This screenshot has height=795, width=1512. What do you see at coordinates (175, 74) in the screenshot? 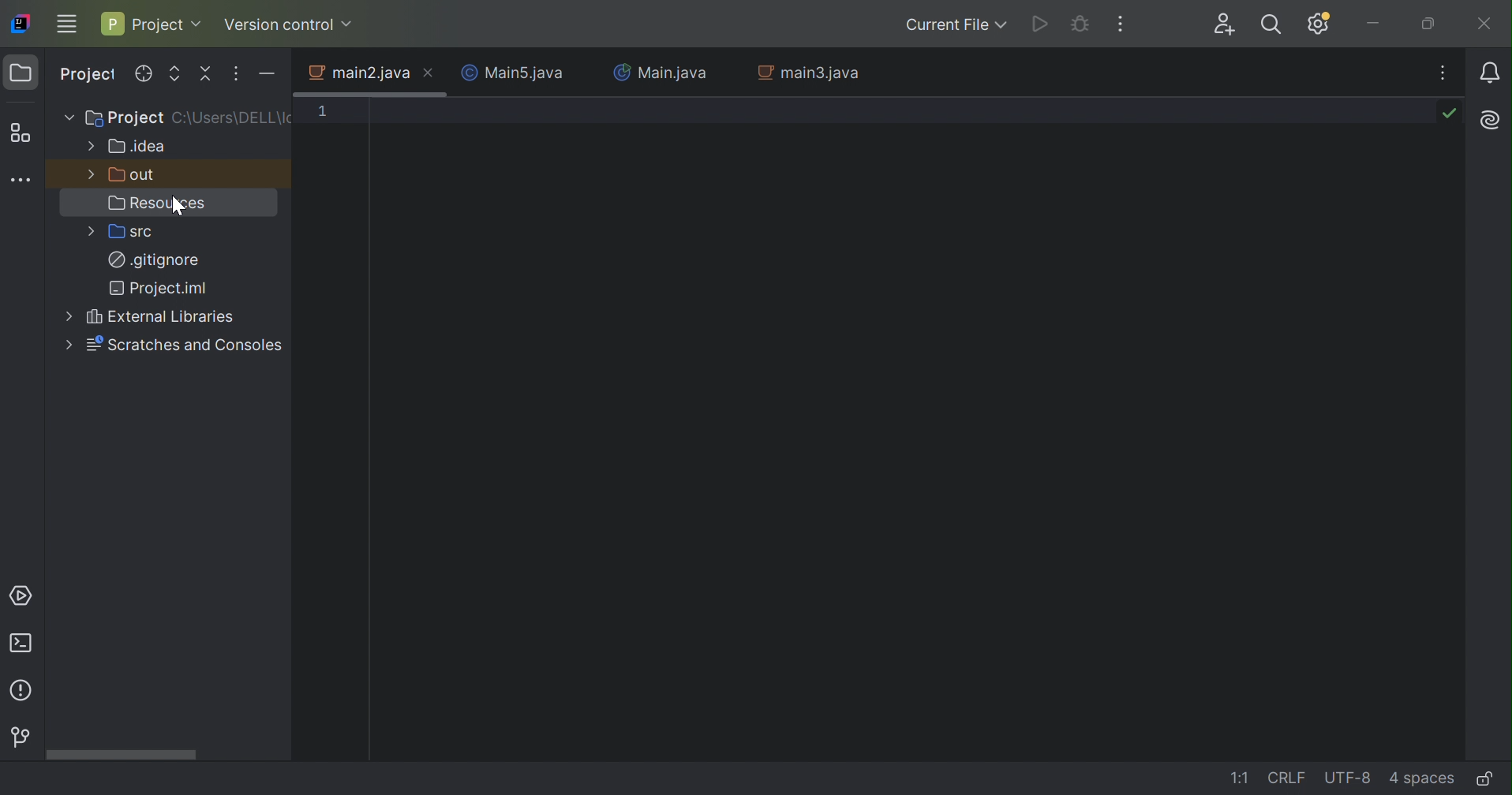
I see `Expand all` at bounding box center [175, 74].